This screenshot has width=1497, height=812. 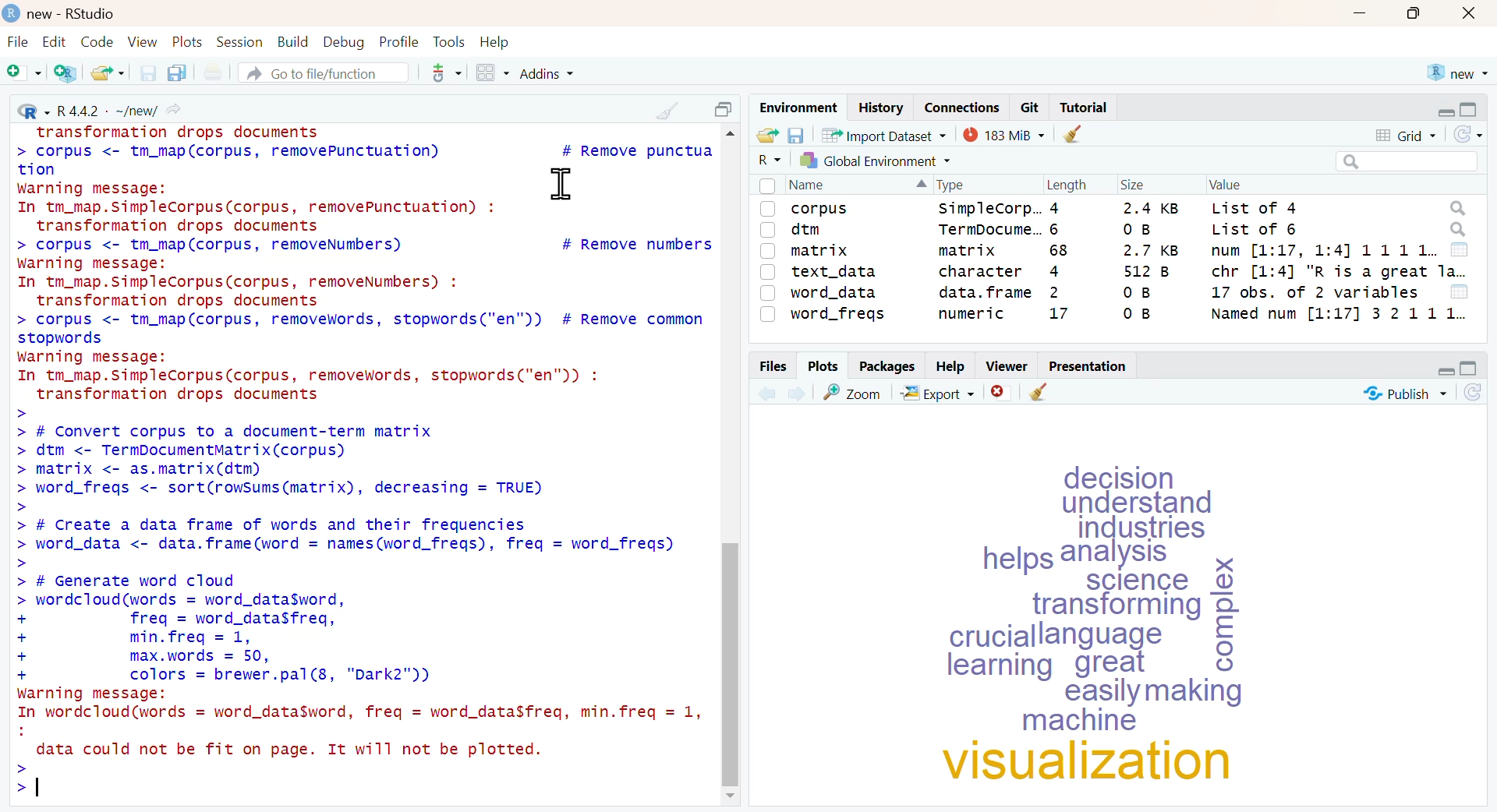 I want to click on new, so click(x=1456, y=72).